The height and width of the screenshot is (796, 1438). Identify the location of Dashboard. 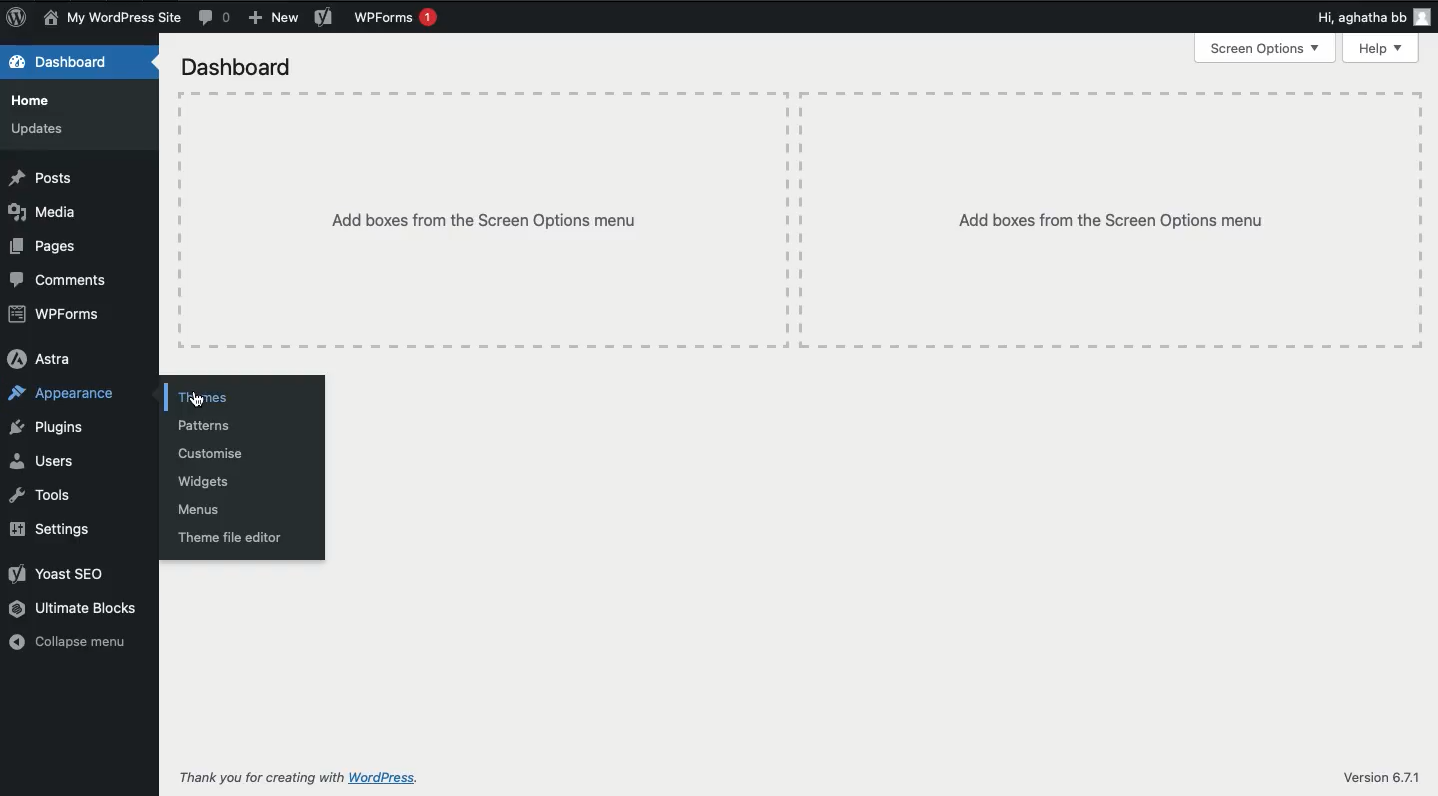
(63, 62).